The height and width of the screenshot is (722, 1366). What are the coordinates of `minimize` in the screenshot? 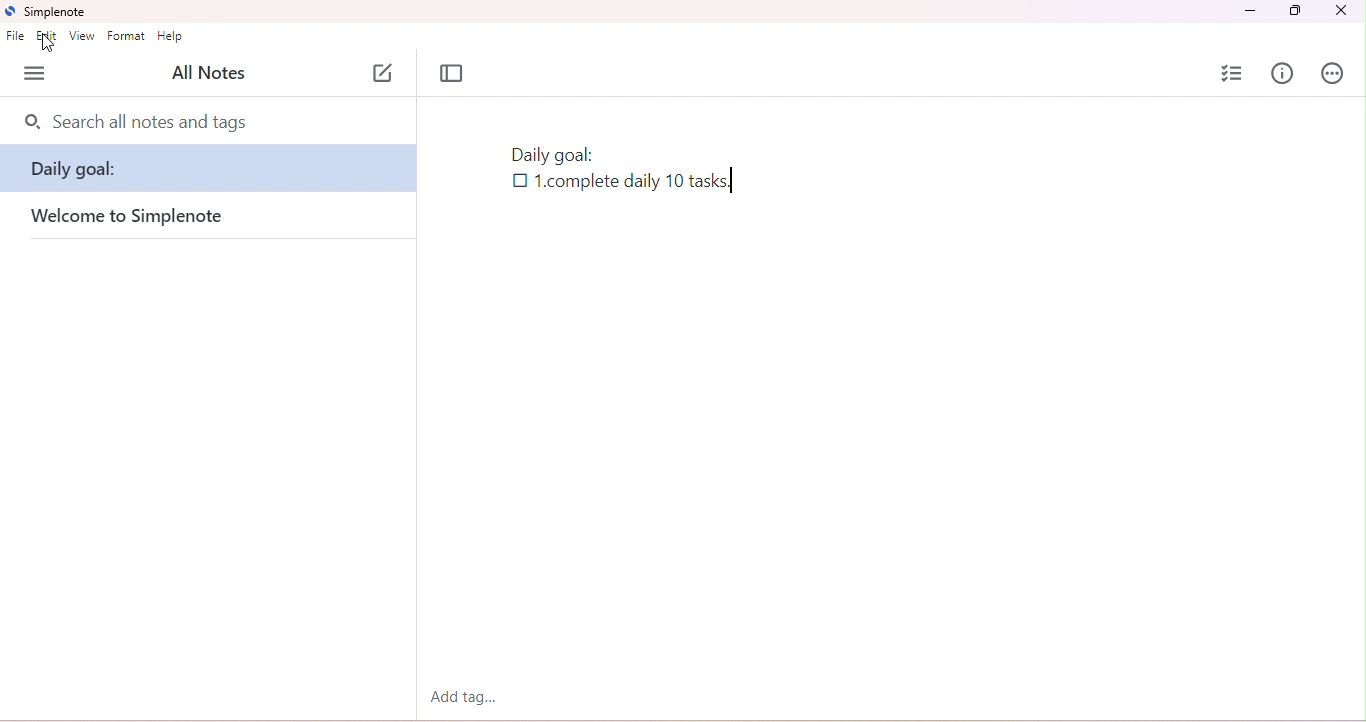 It's located at (1249, 11).